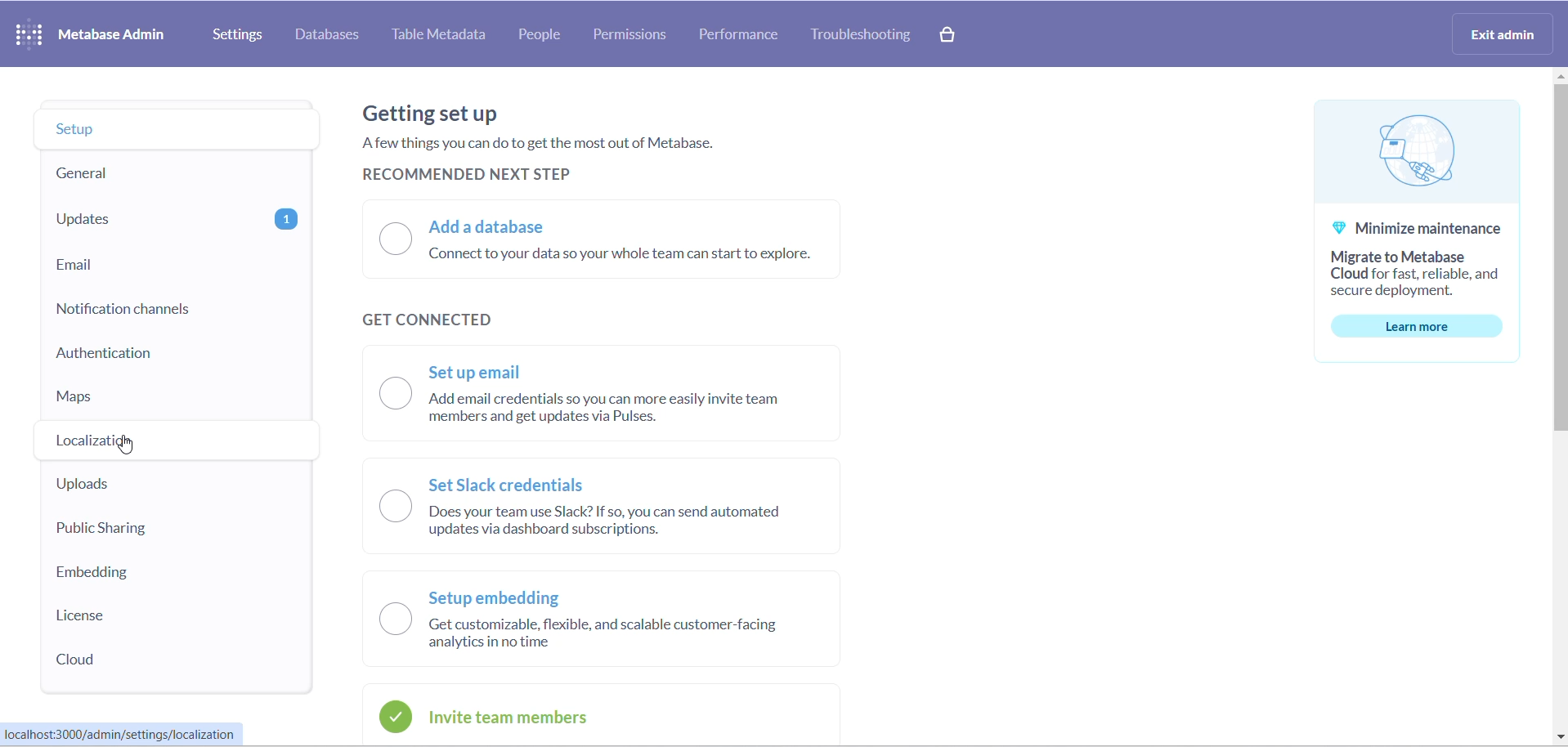  I want to click on NOTIFICATION CHANNELS, so click(173, 310).